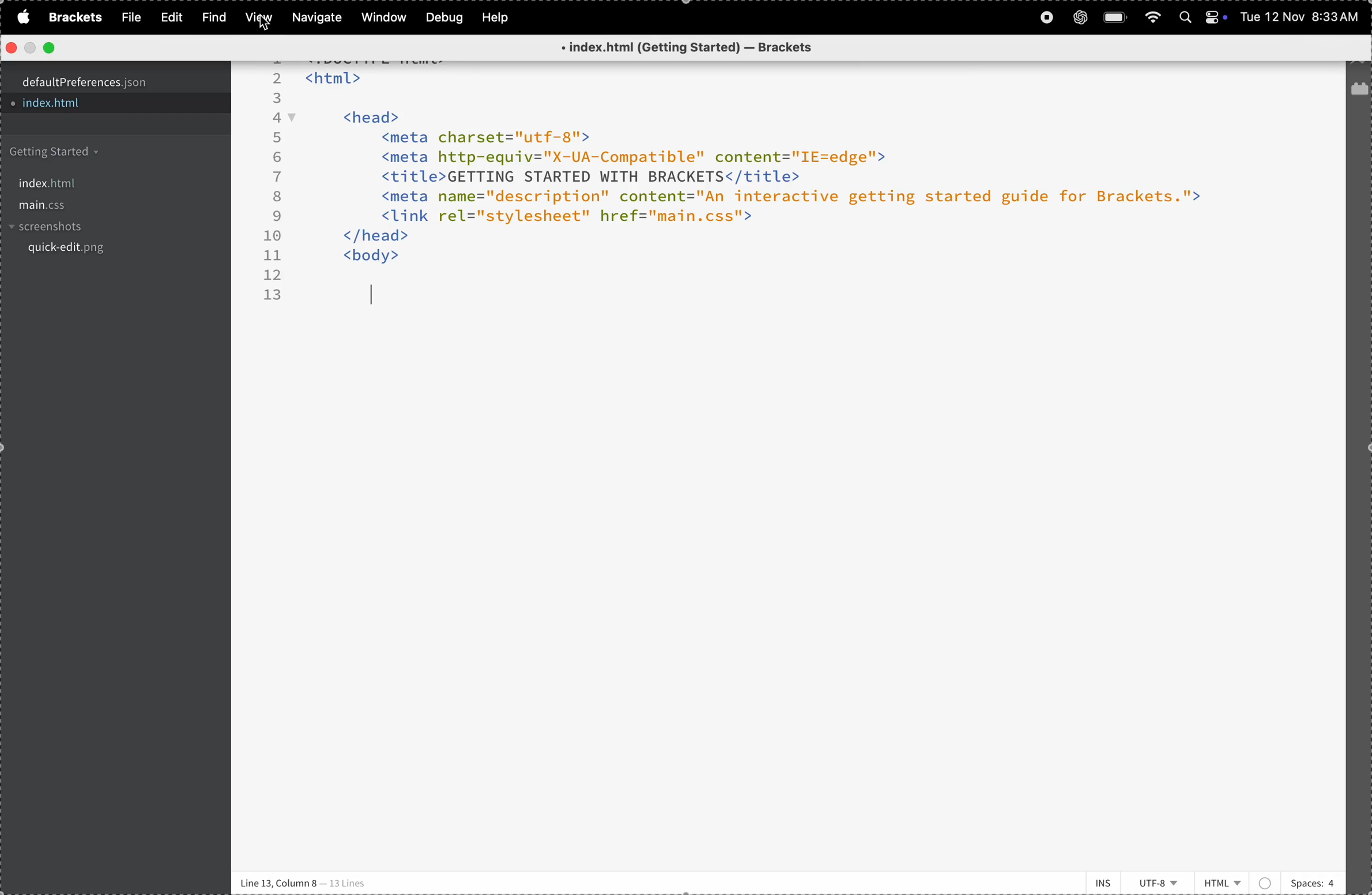 The height and width of the screenshot is (895, 1372). Describe the element at coordinates (100, 82) in the screenshot. I see `default prefrences json` at that location.